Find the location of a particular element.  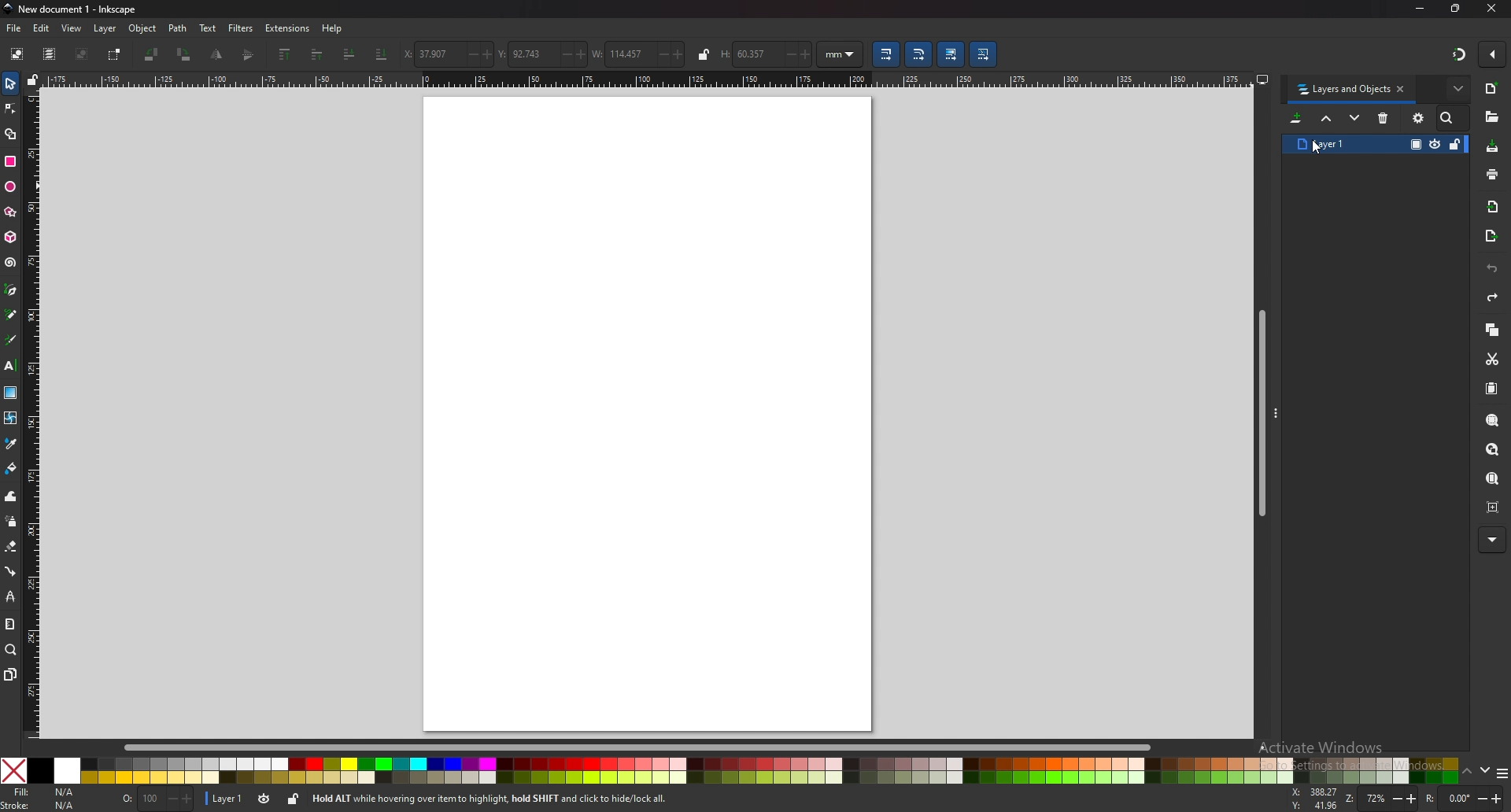

redo is located at coordinates (1493, 297).